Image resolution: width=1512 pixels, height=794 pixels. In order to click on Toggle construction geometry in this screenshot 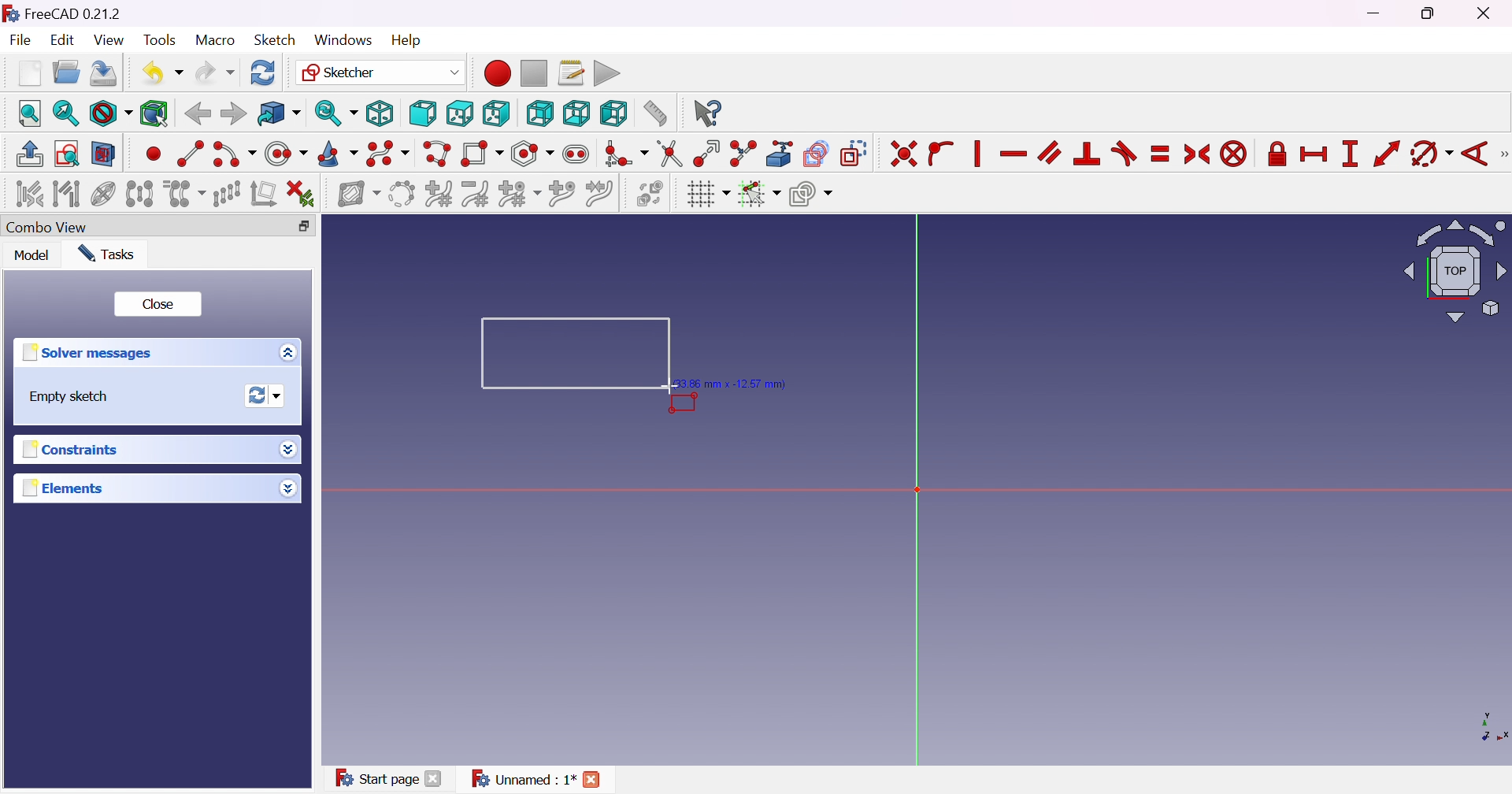, I will do `click(855, 154)`.